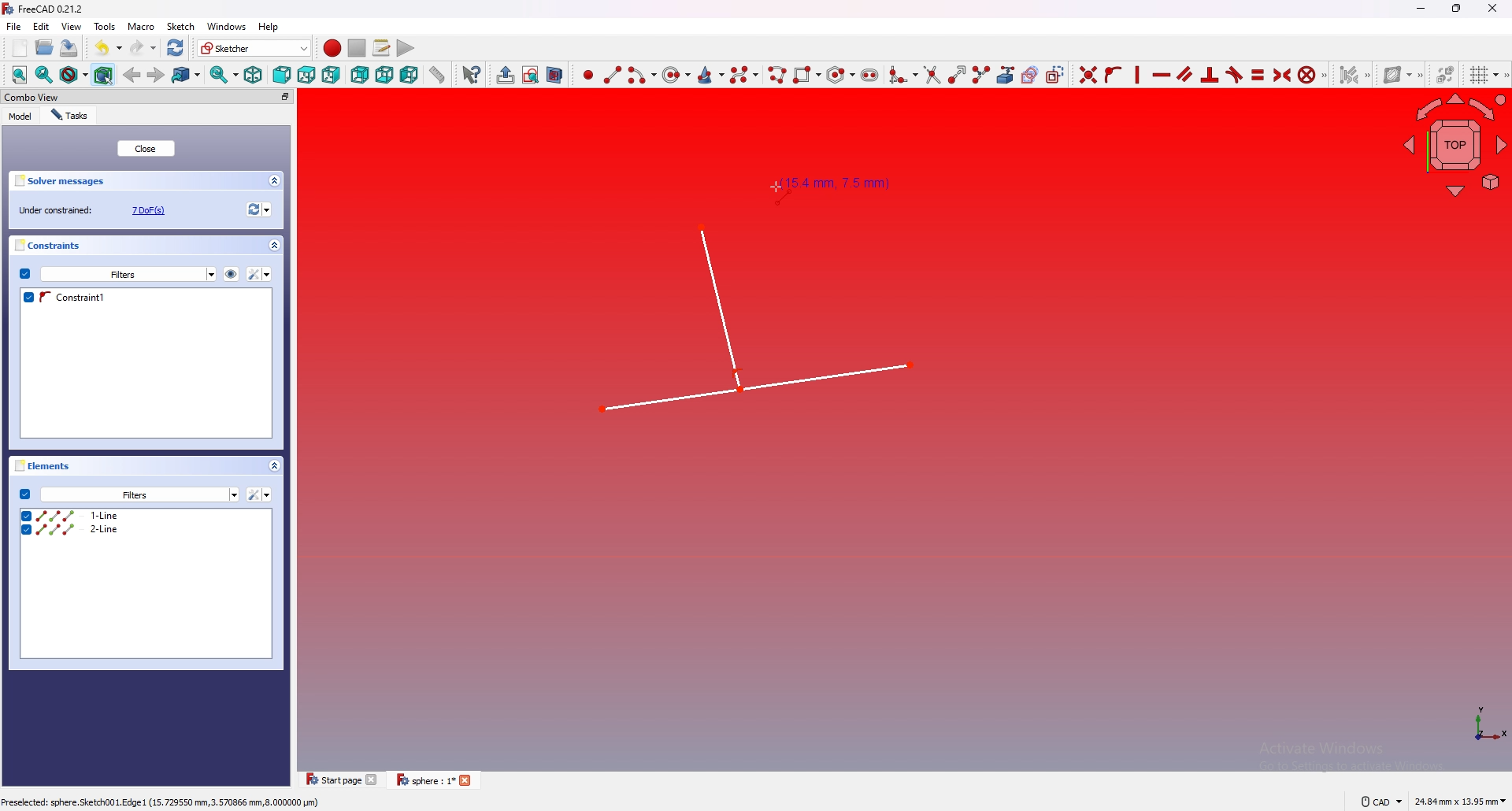 The height and width of the screenshot is (811, 1512). Describe the element at coordinates (145, 514) in the screenshot. I see `1-Line` at that location.